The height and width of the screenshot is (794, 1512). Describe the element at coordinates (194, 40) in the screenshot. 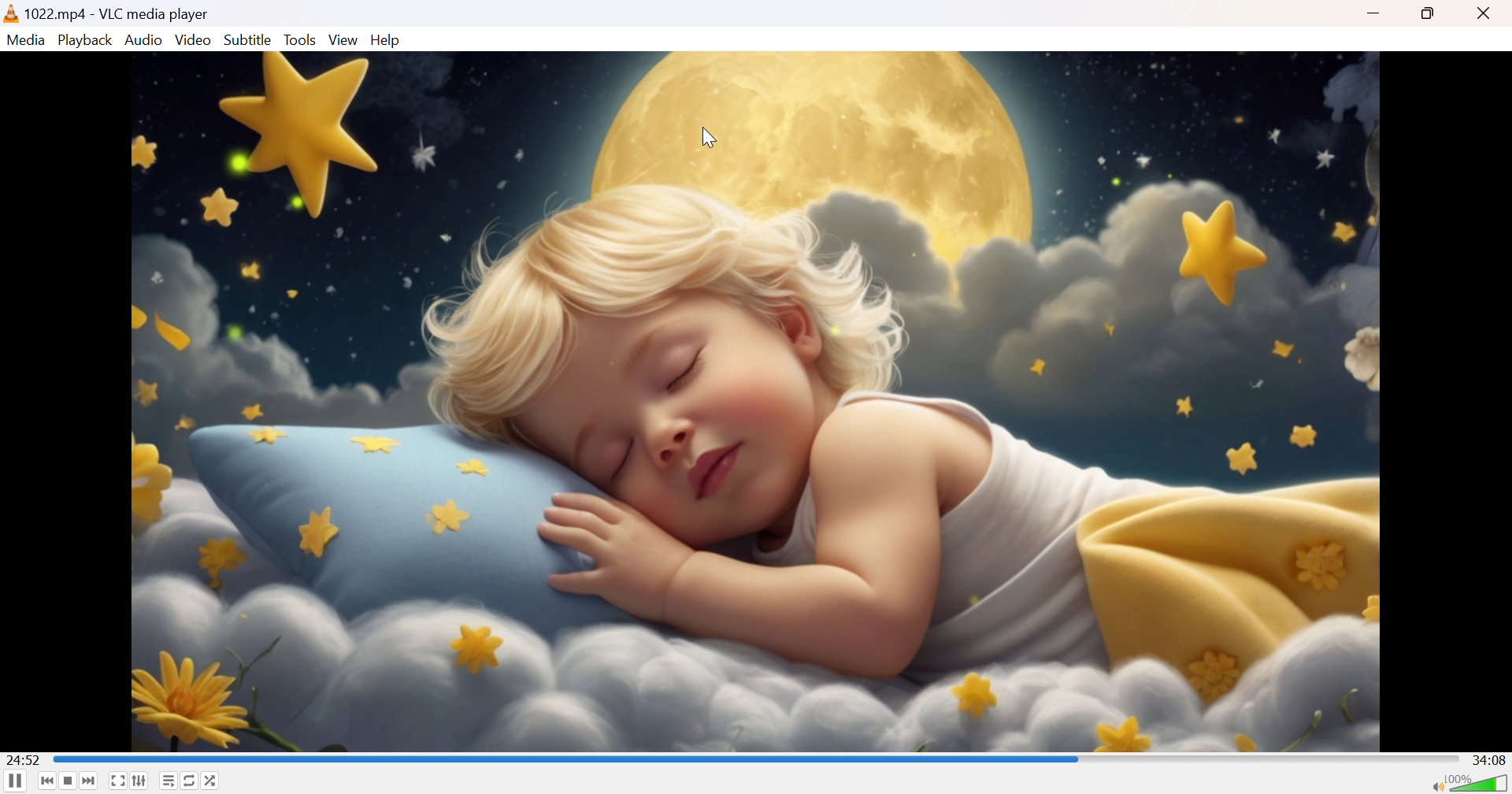

I see `Video` at that location.